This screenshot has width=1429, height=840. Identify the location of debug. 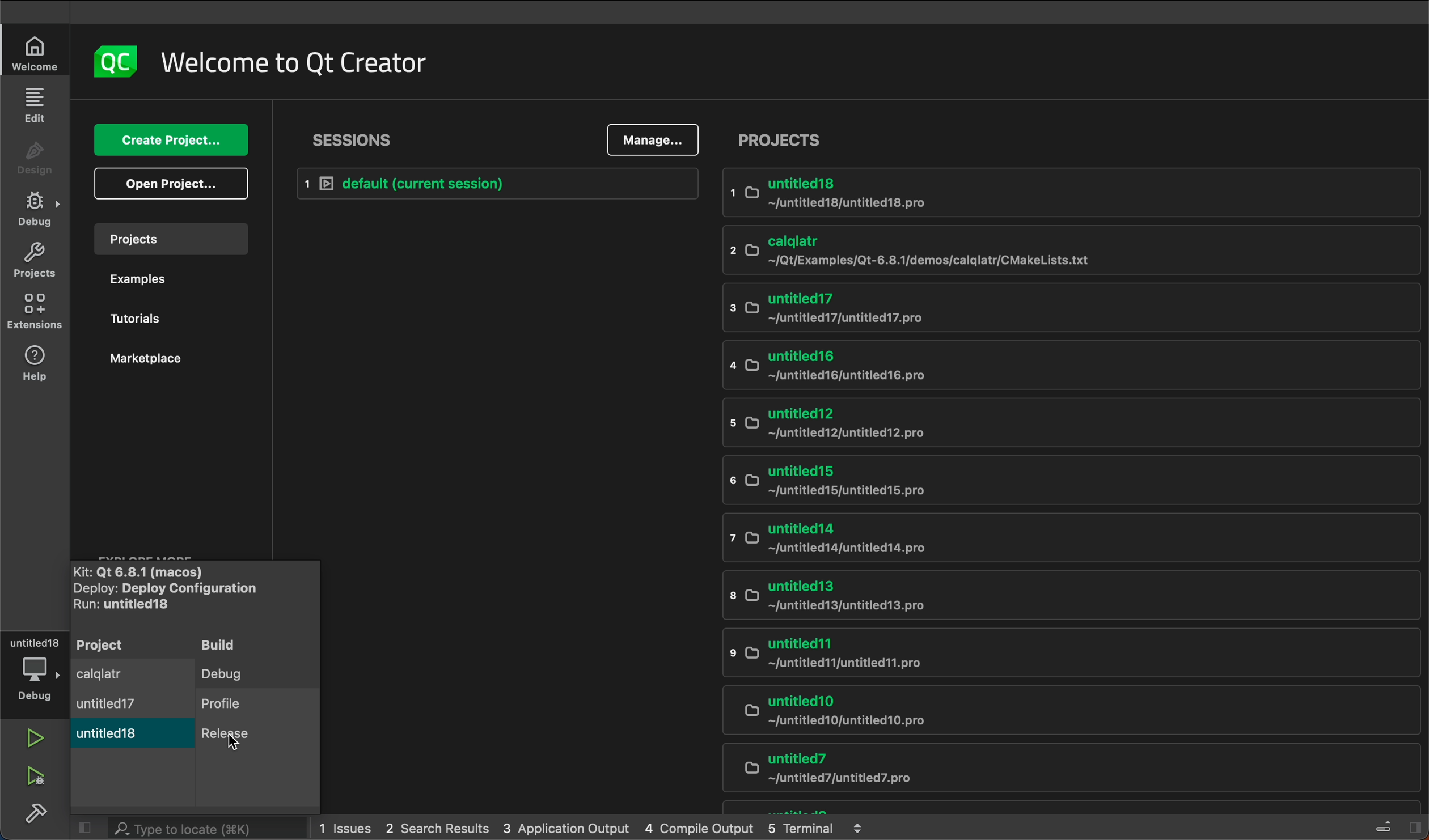
(243, 673).